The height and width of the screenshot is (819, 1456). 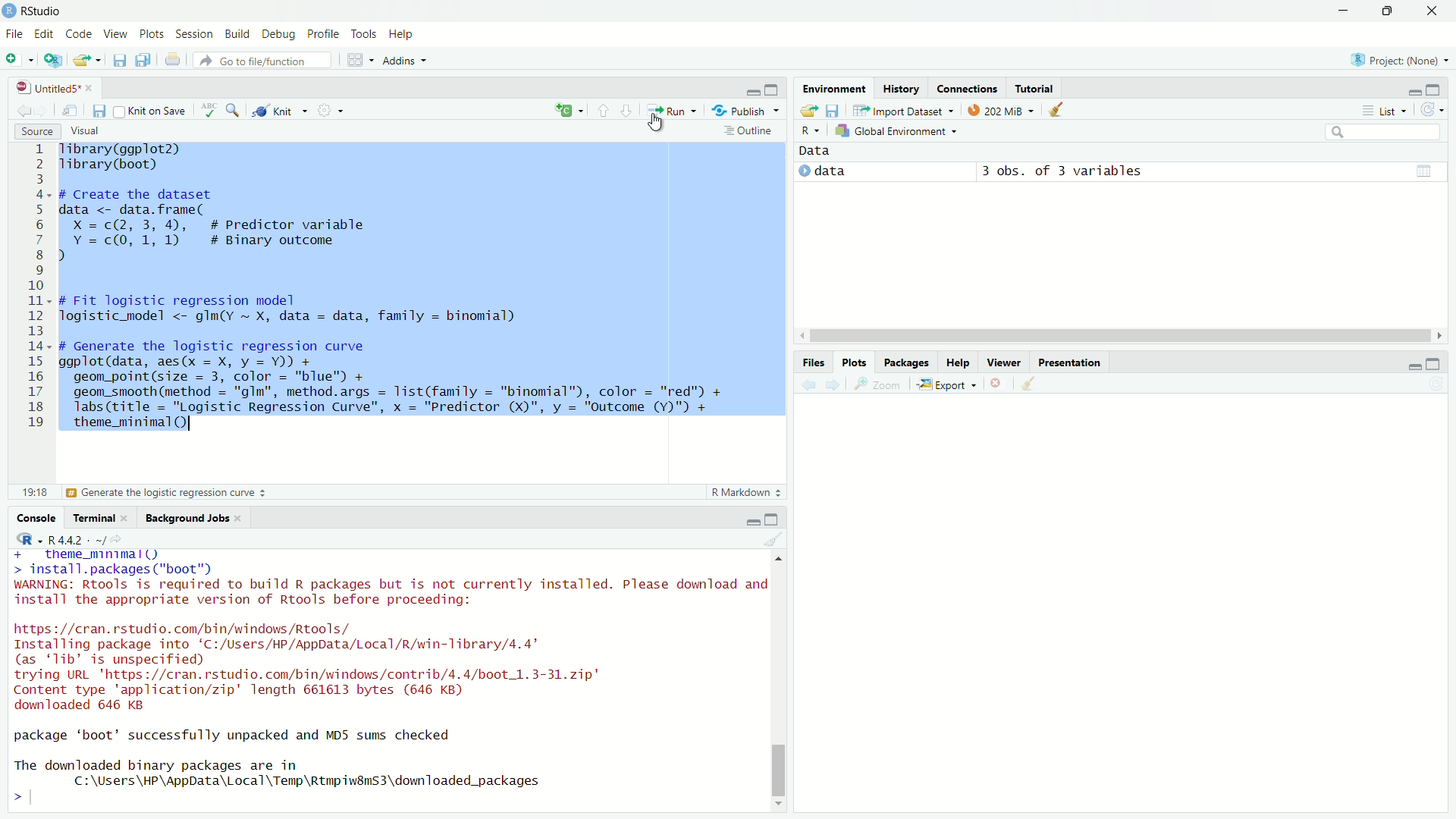 I want to click on Go back to previous source location, so click(x=24, y=111).